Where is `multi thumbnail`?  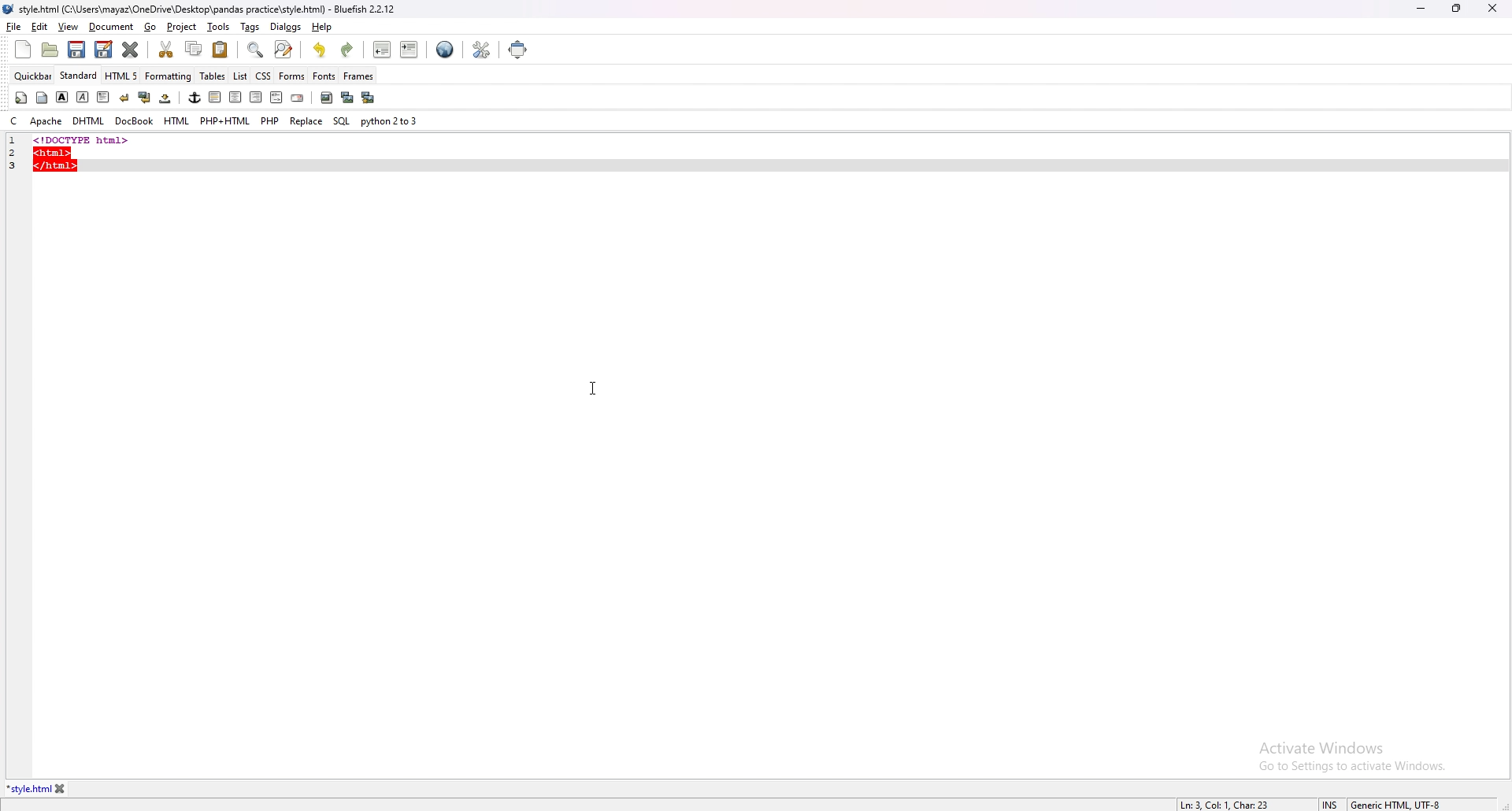
multi thumbnail is located at coordinates (367, 97).